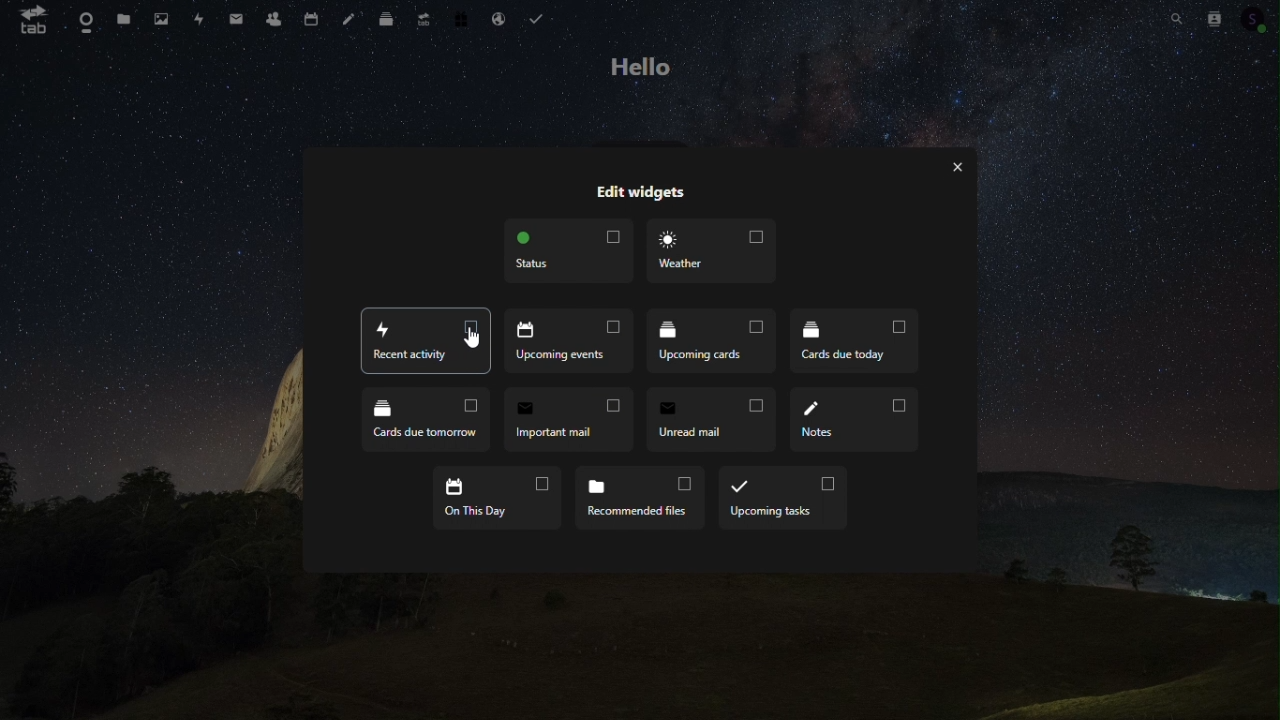 The image size is (1280, 720). I want to click on Recent activity, so click(570, 342).